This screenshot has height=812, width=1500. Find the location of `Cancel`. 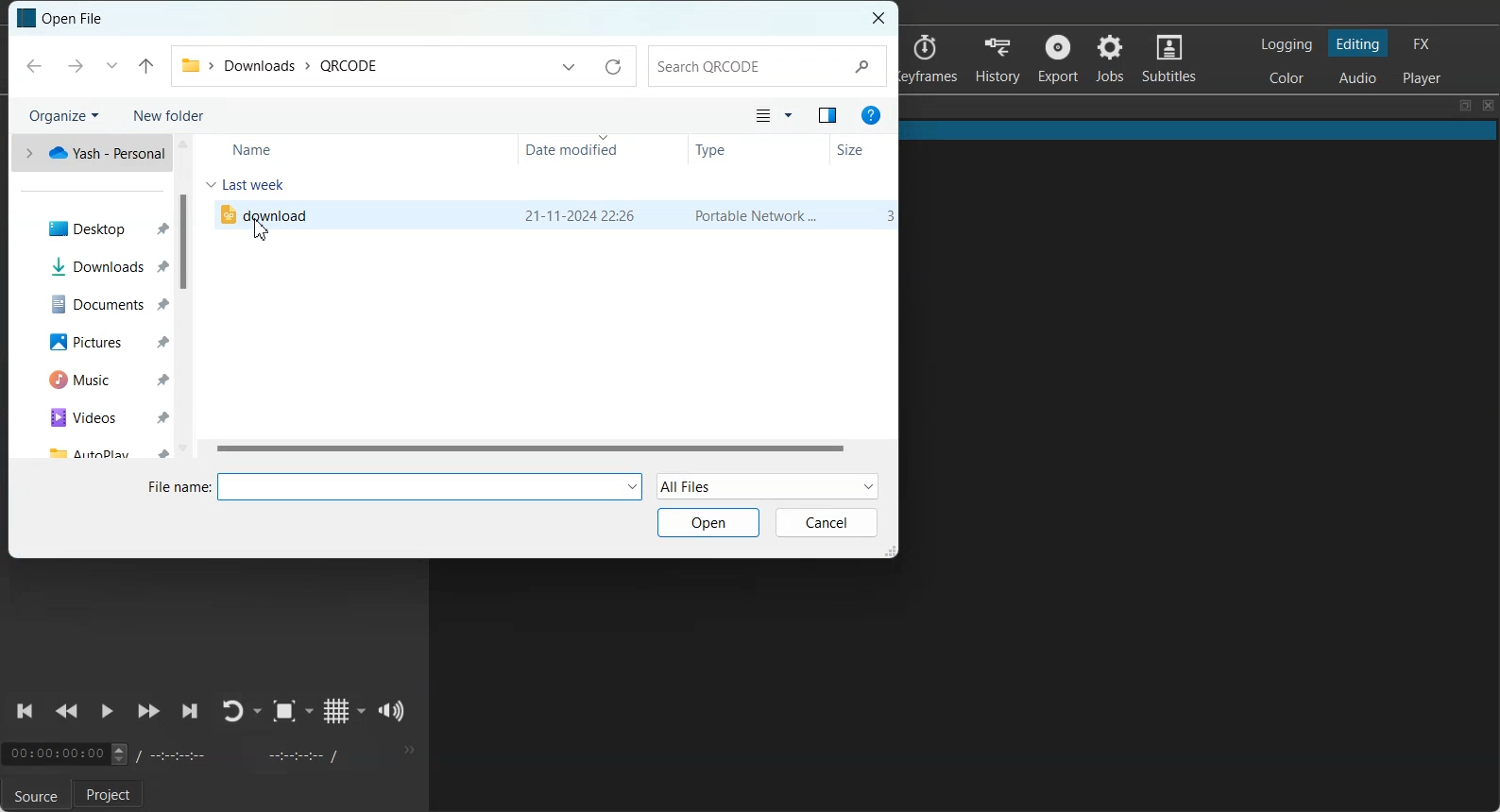

Cancel is located at coordinates (828, 524).